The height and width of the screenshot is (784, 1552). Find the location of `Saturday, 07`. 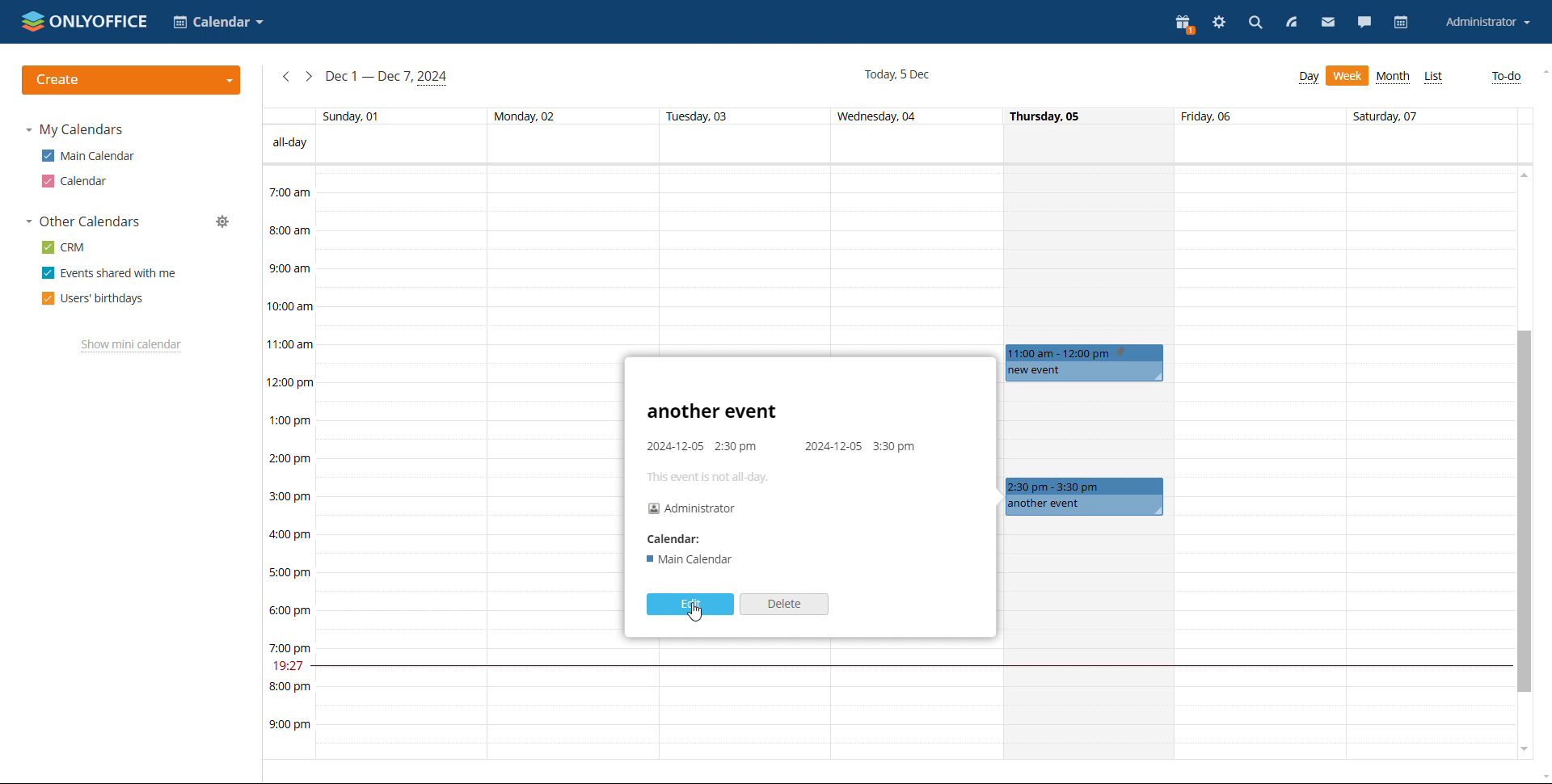

Saturday, 07 is located at coordinates (1385, 117).